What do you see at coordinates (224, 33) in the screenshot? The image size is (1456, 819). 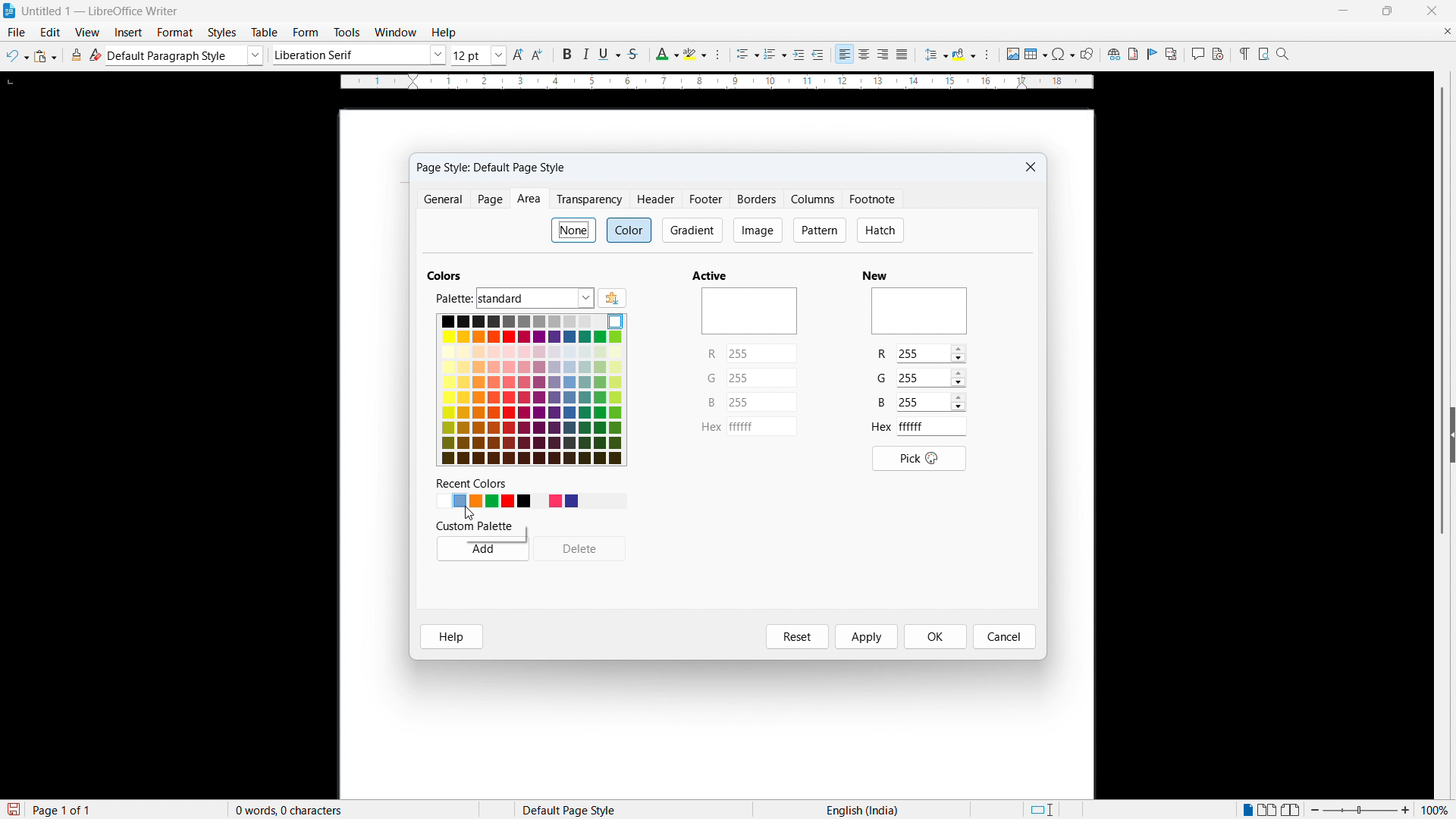 I see `Styles ` at bounding box center [224, 33].